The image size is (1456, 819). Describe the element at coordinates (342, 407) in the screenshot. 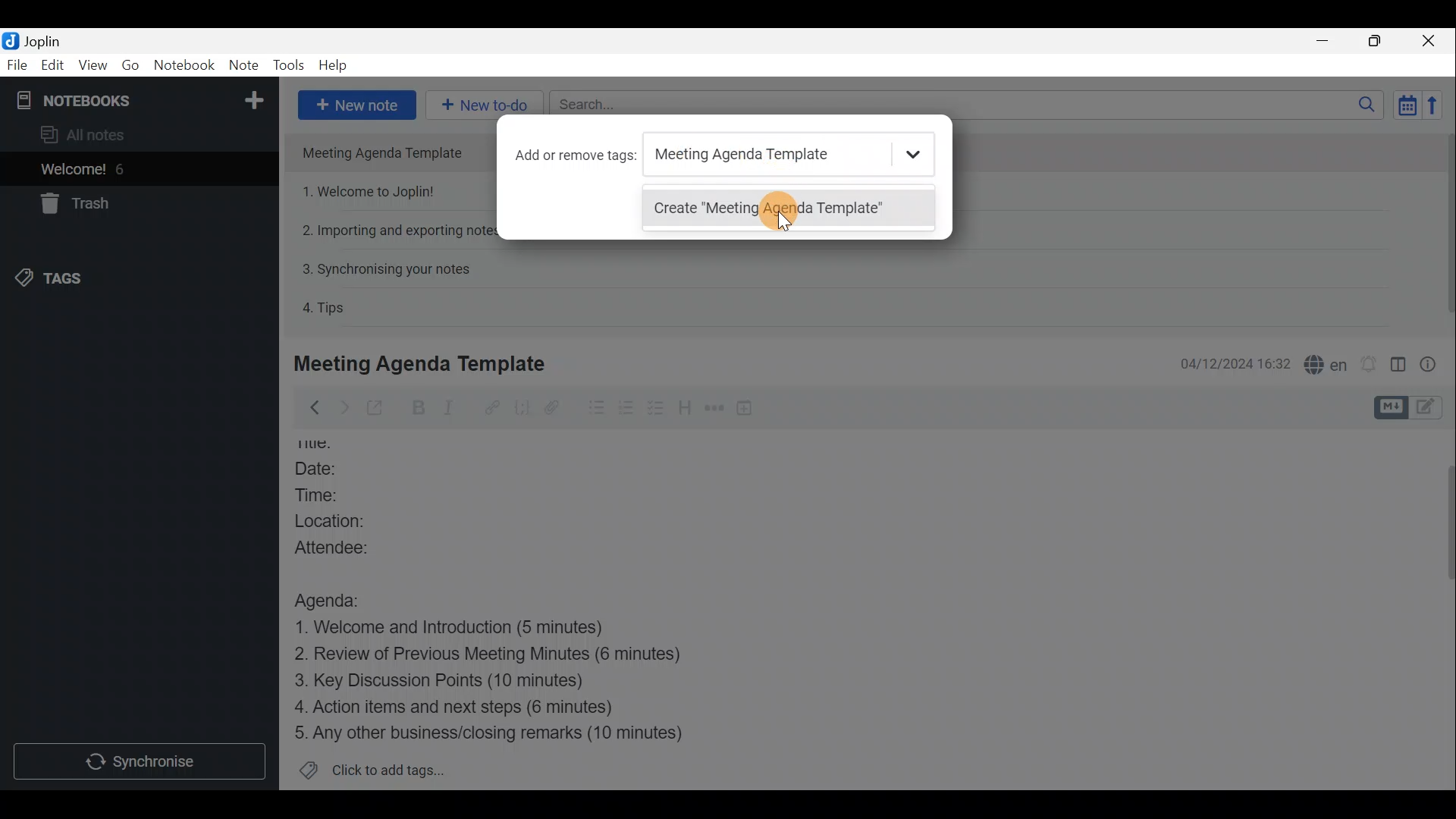

I see `Forward` at that location.